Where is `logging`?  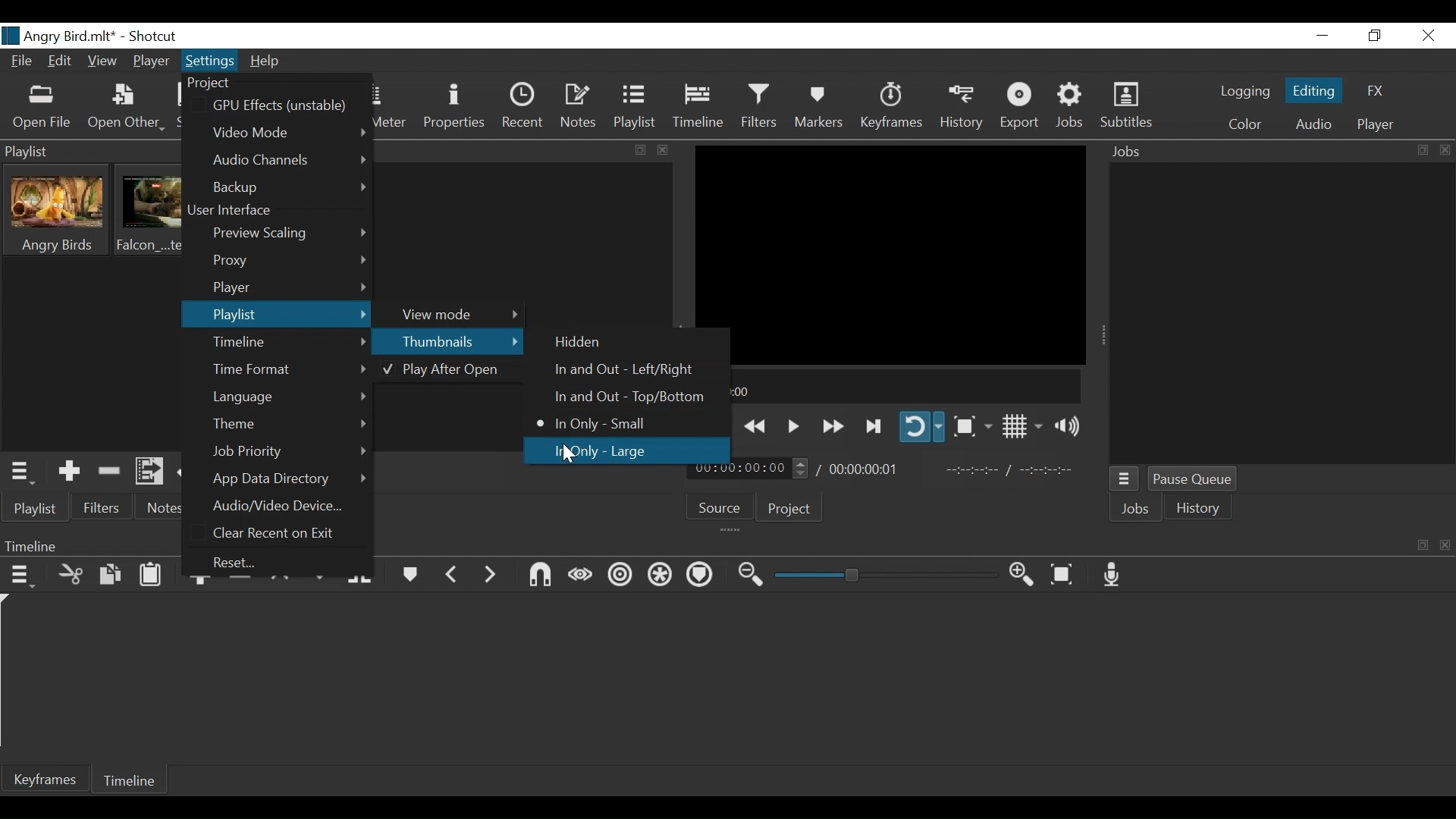 logging is located at coordinates (1243, 91).